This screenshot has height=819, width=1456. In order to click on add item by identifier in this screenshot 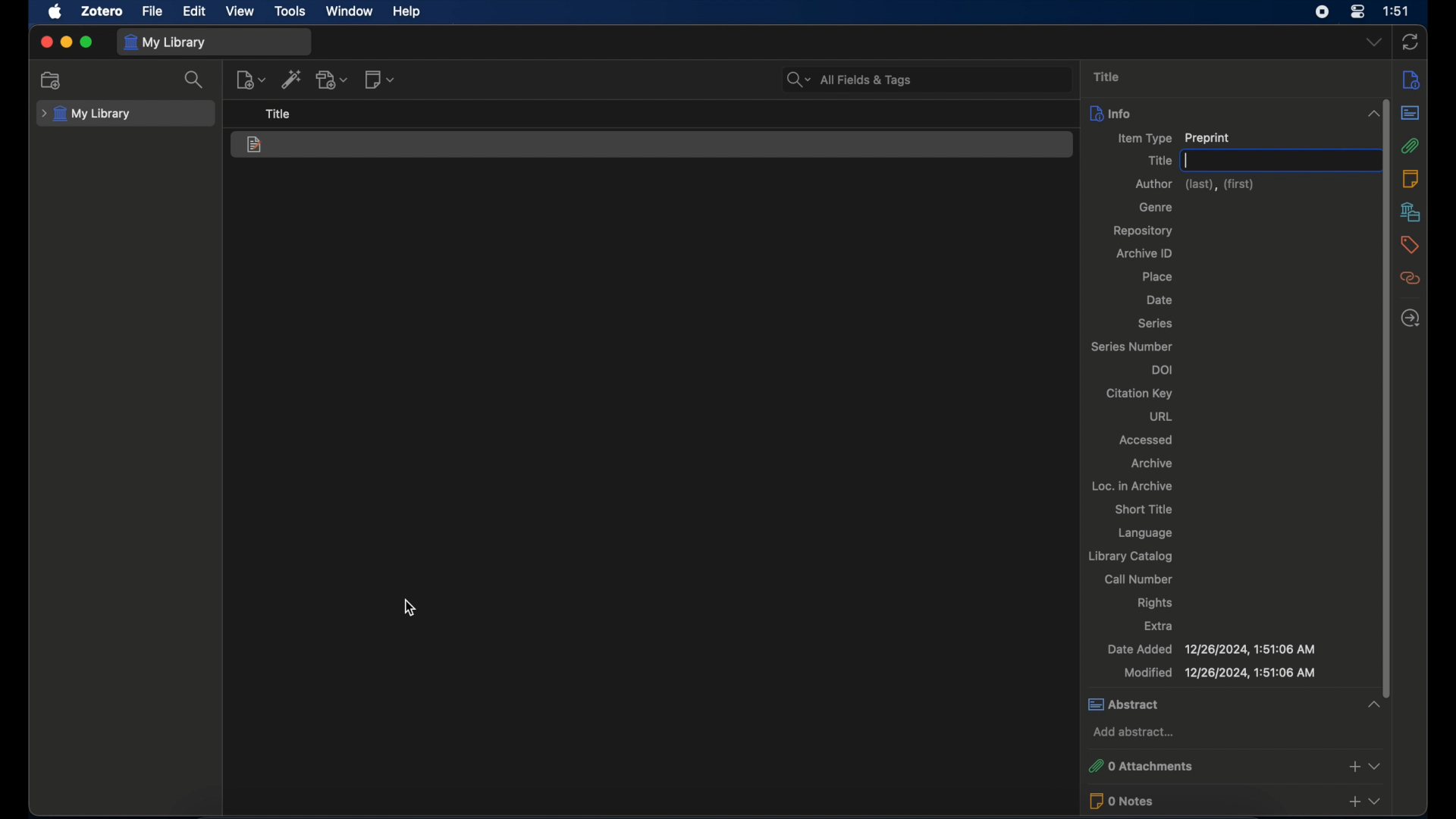, I will do `click(291, 79)`.